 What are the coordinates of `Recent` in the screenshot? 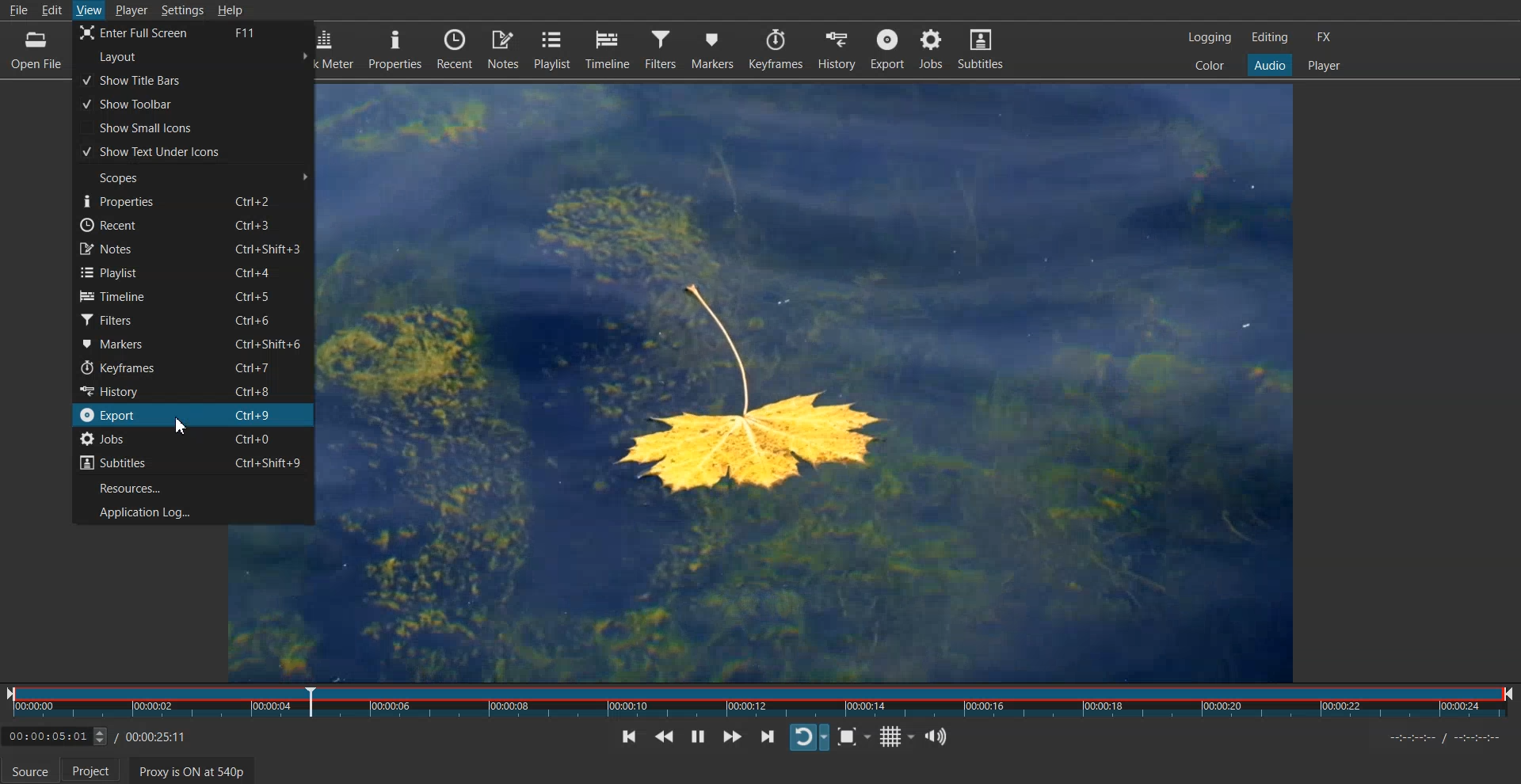 It's located at (193, 224).